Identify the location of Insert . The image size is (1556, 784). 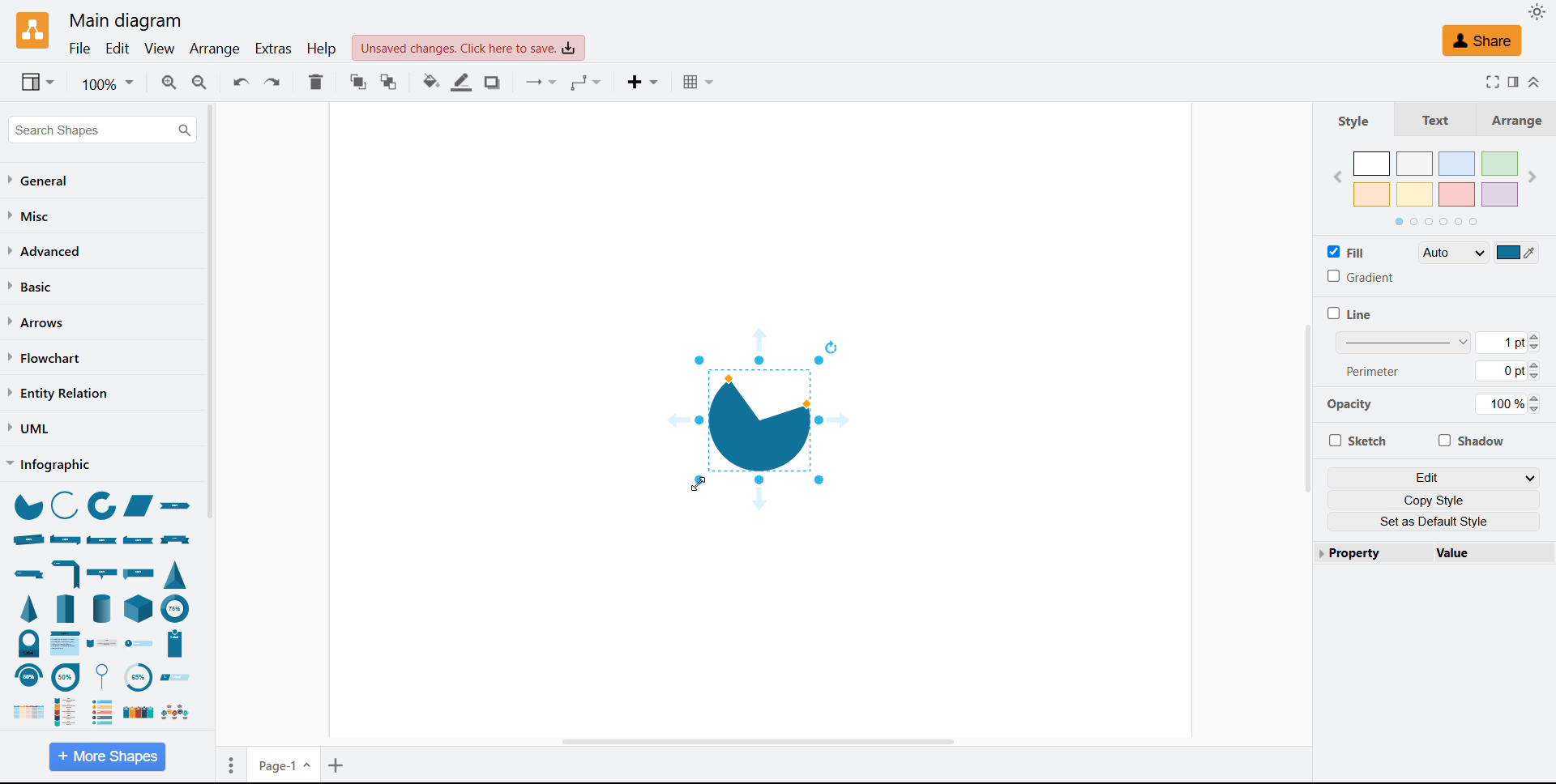
(646, 83).